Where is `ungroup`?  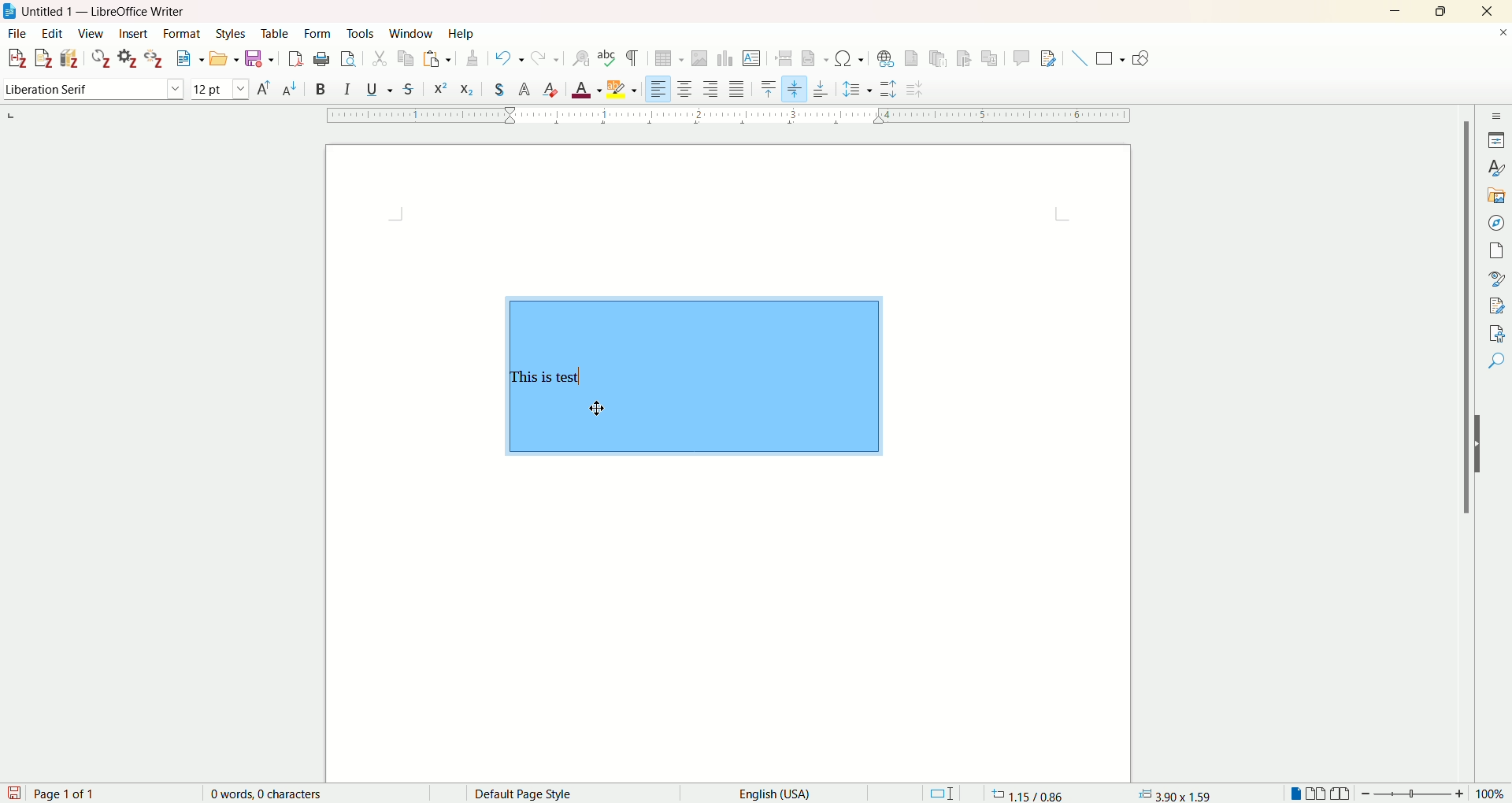
ungroup is located at coordinates (1066, 90).